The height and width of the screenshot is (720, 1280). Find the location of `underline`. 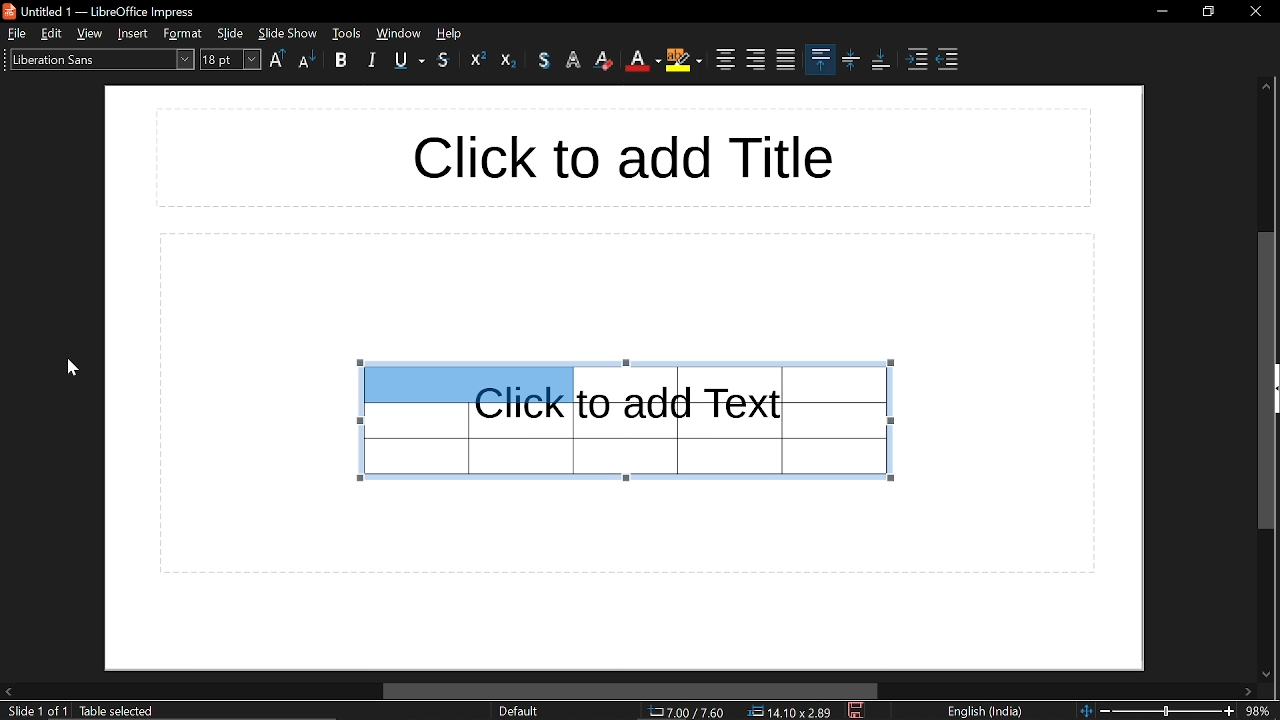

underline is located at coordinates (410, 62).